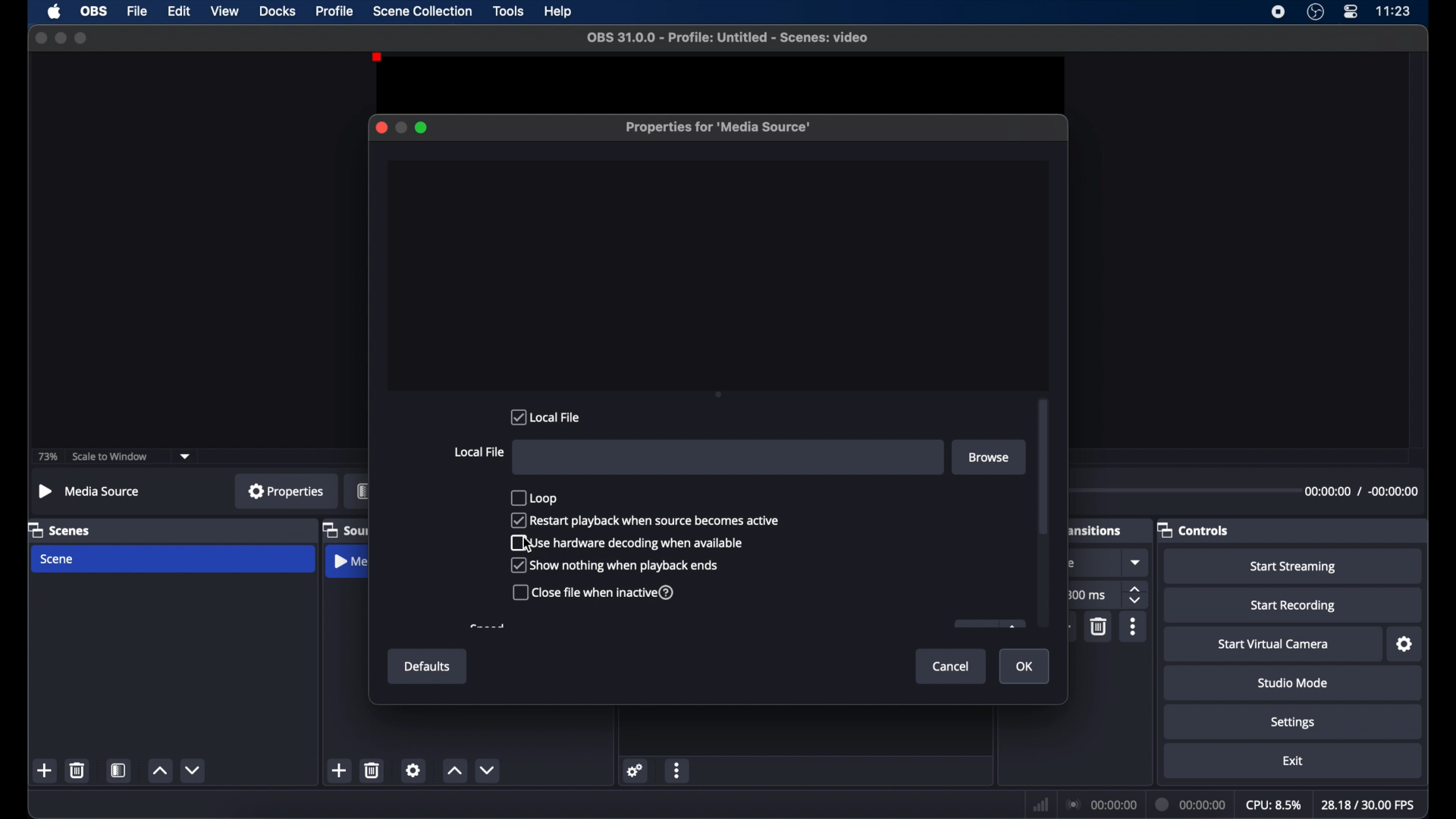  I want to click on settings, so click(1406, 645).